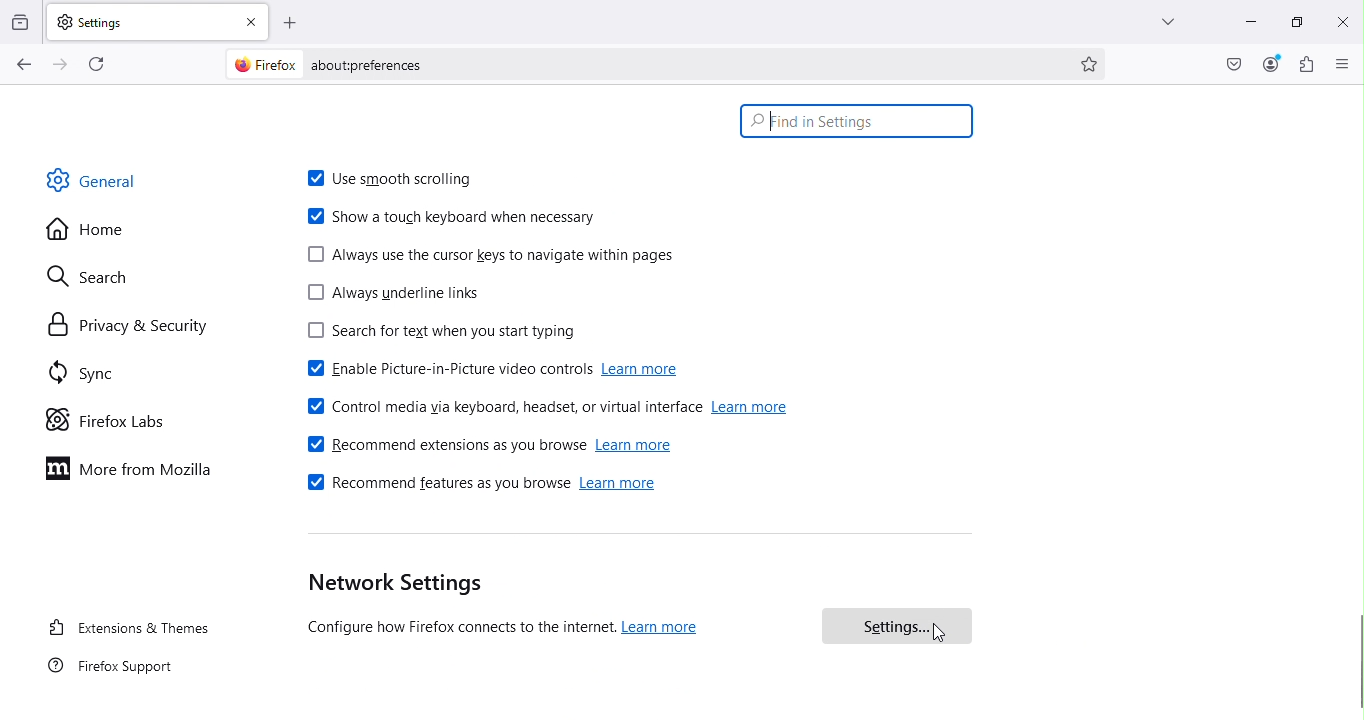 This screenshot has height=720, width=1364. What do you see at coordinates (455, 629) in the screenshot?
I see `(Configure how Firefox connects to the internet` at bounding box center [455, 629].